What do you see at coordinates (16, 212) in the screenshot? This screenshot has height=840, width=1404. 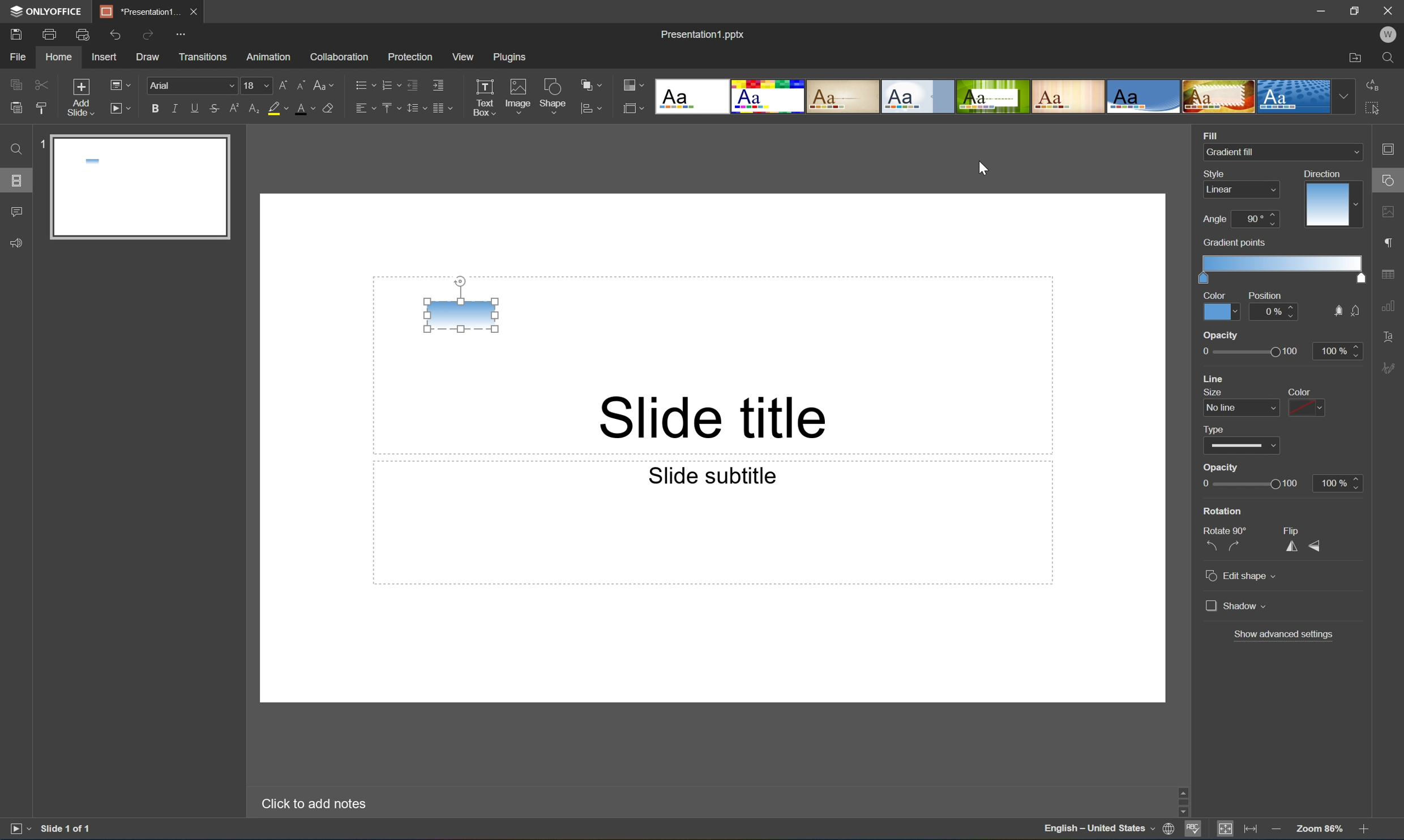 I see `Comments` at bounding box center [16, 212].